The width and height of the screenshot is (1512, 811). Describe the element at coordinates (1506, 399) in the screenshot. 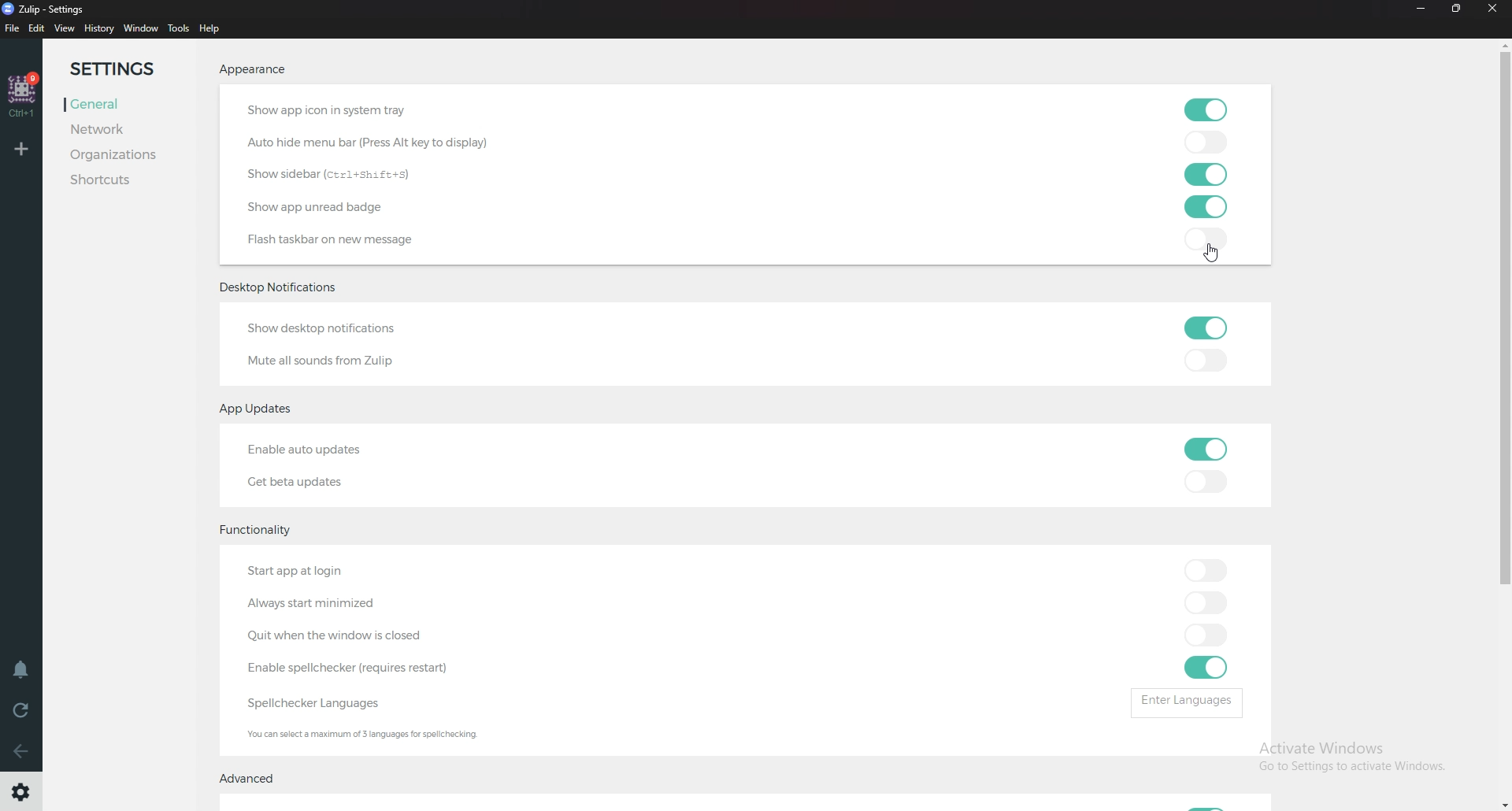

I see `scroll bar` at that location.